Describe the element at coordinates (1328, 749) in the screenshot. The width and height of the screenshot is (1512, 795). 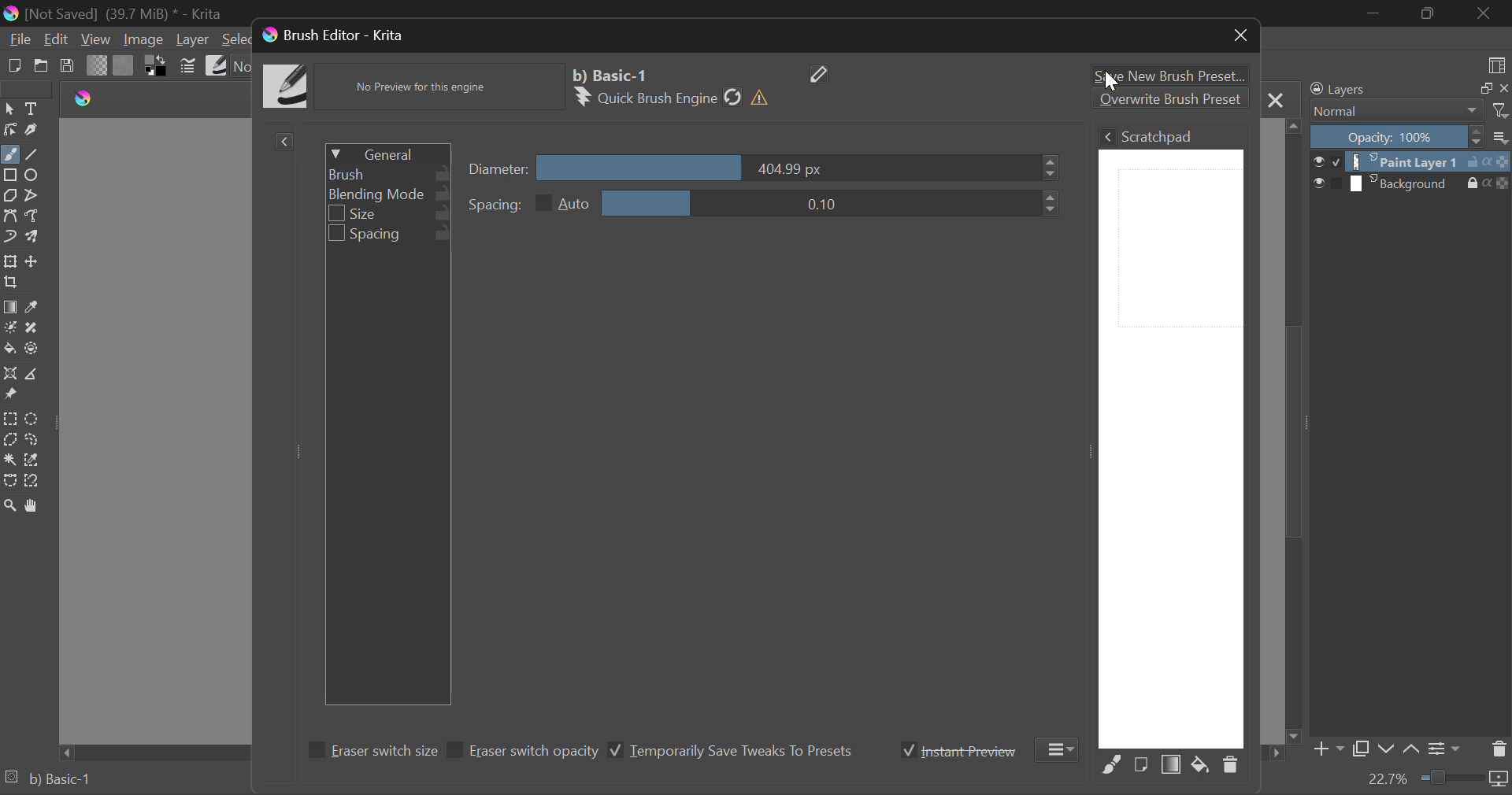
I see `Add Layer` at that location.